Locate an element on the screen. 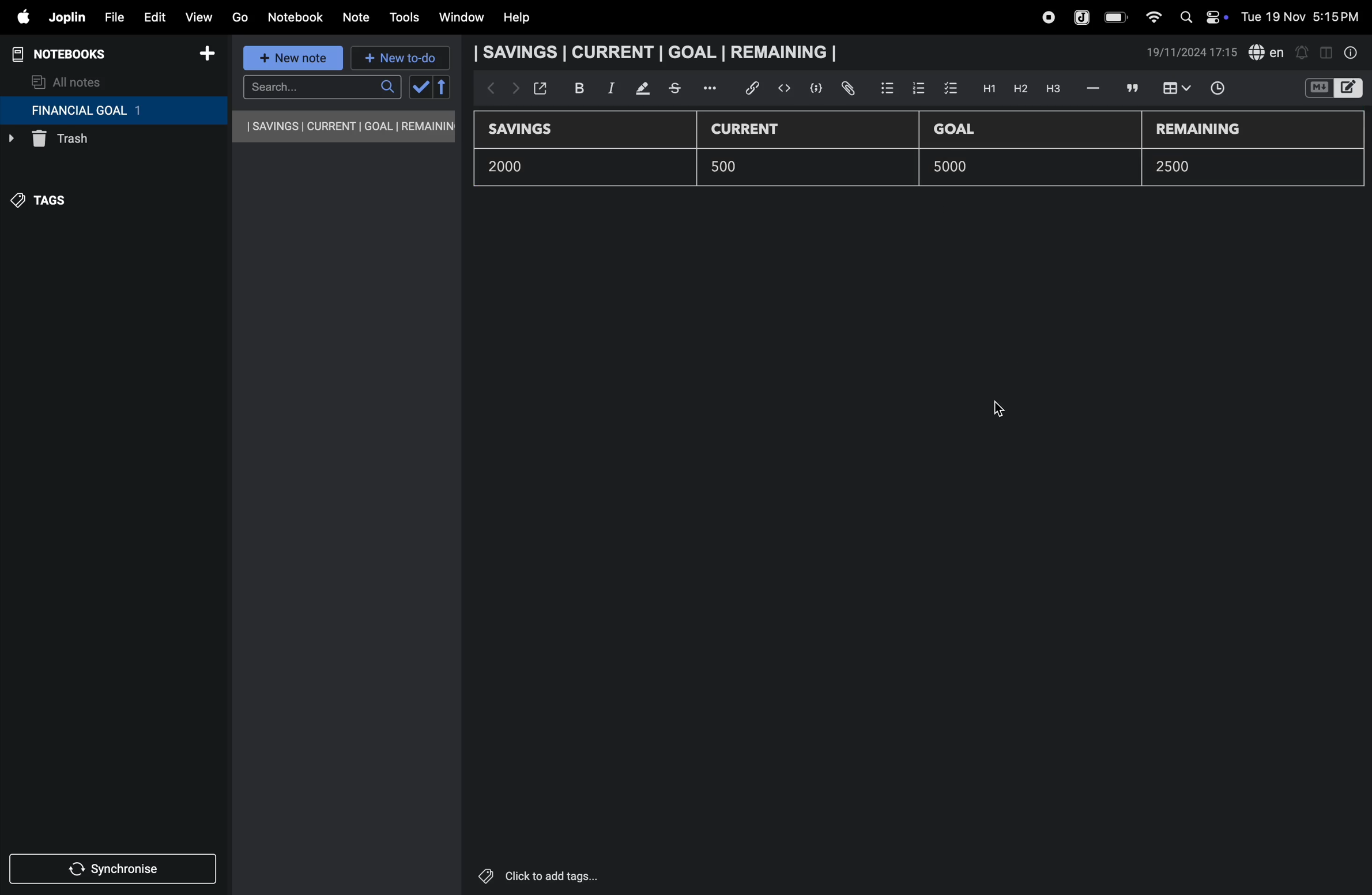 This screenshot has height=895, width=1372. hifen is located at coordinates (1095, 88).